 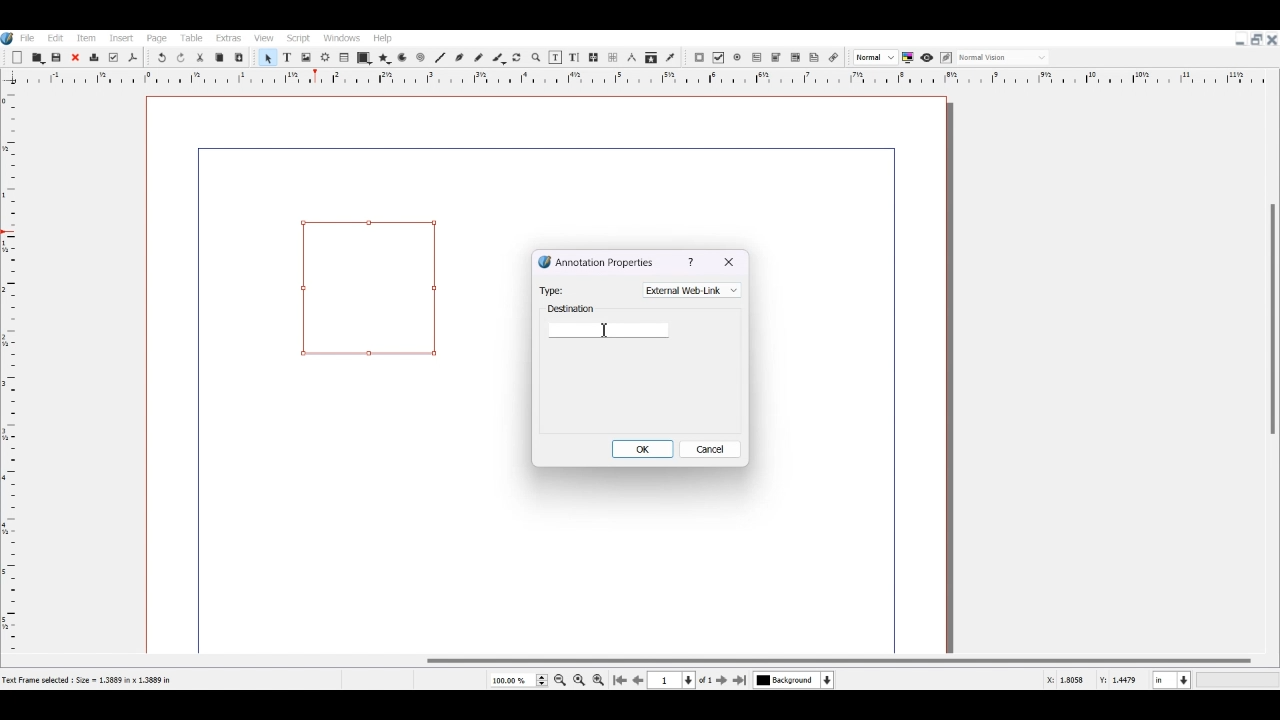 I want to click on Item, so click(x=84, y=38).